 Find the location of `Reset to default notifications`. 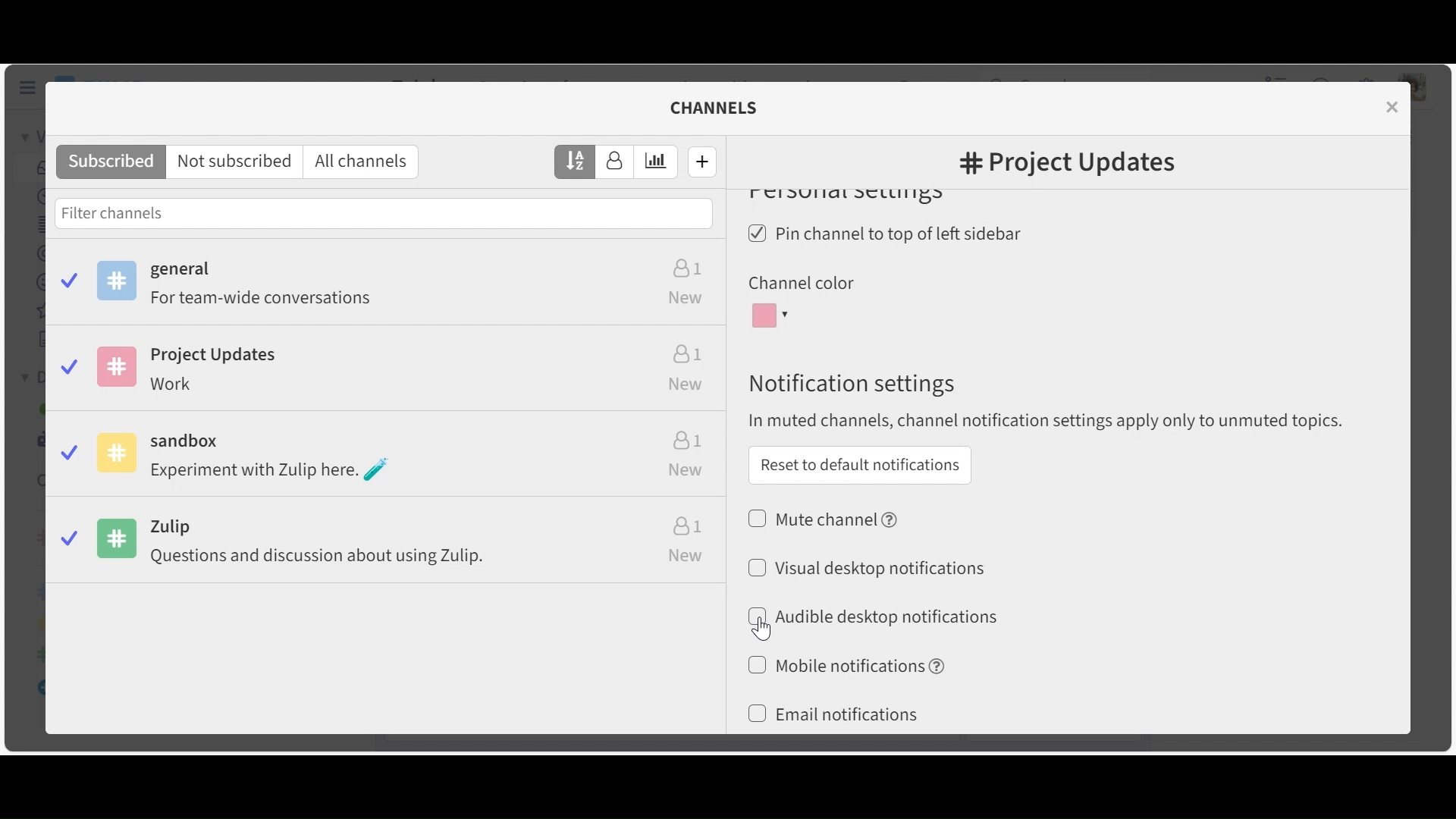

Reset to default notifications is located at coordinates (859, 465).